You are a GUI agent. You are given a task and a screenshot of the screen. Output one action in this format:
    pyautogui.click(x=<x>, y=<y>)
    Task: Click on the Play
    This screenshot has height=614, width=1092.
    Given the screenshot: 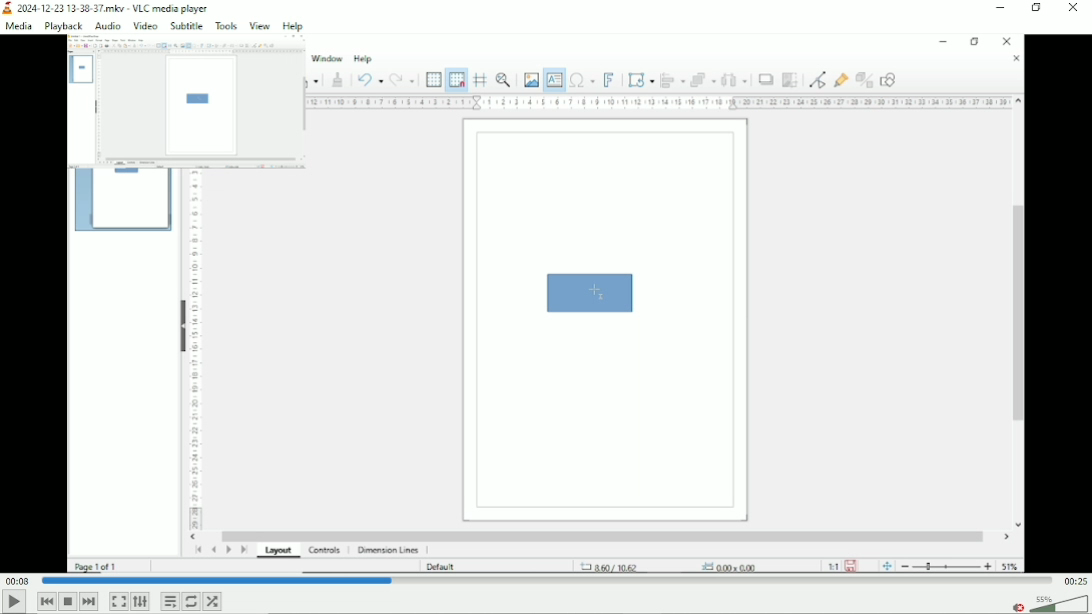 What is the action you would take?
    pyautogui.click(x=13, y=603)
    